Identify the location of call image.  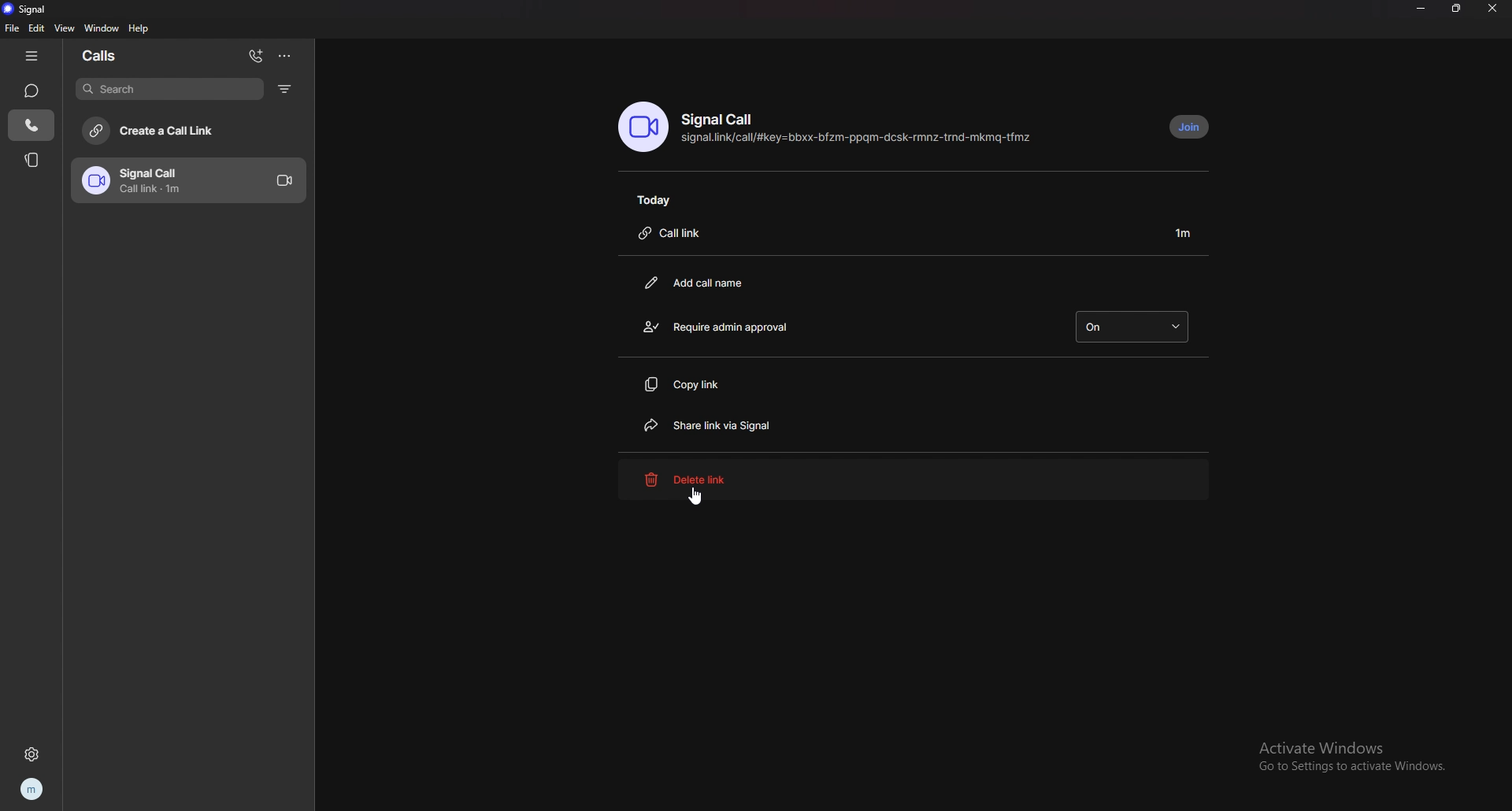
(643, 127).